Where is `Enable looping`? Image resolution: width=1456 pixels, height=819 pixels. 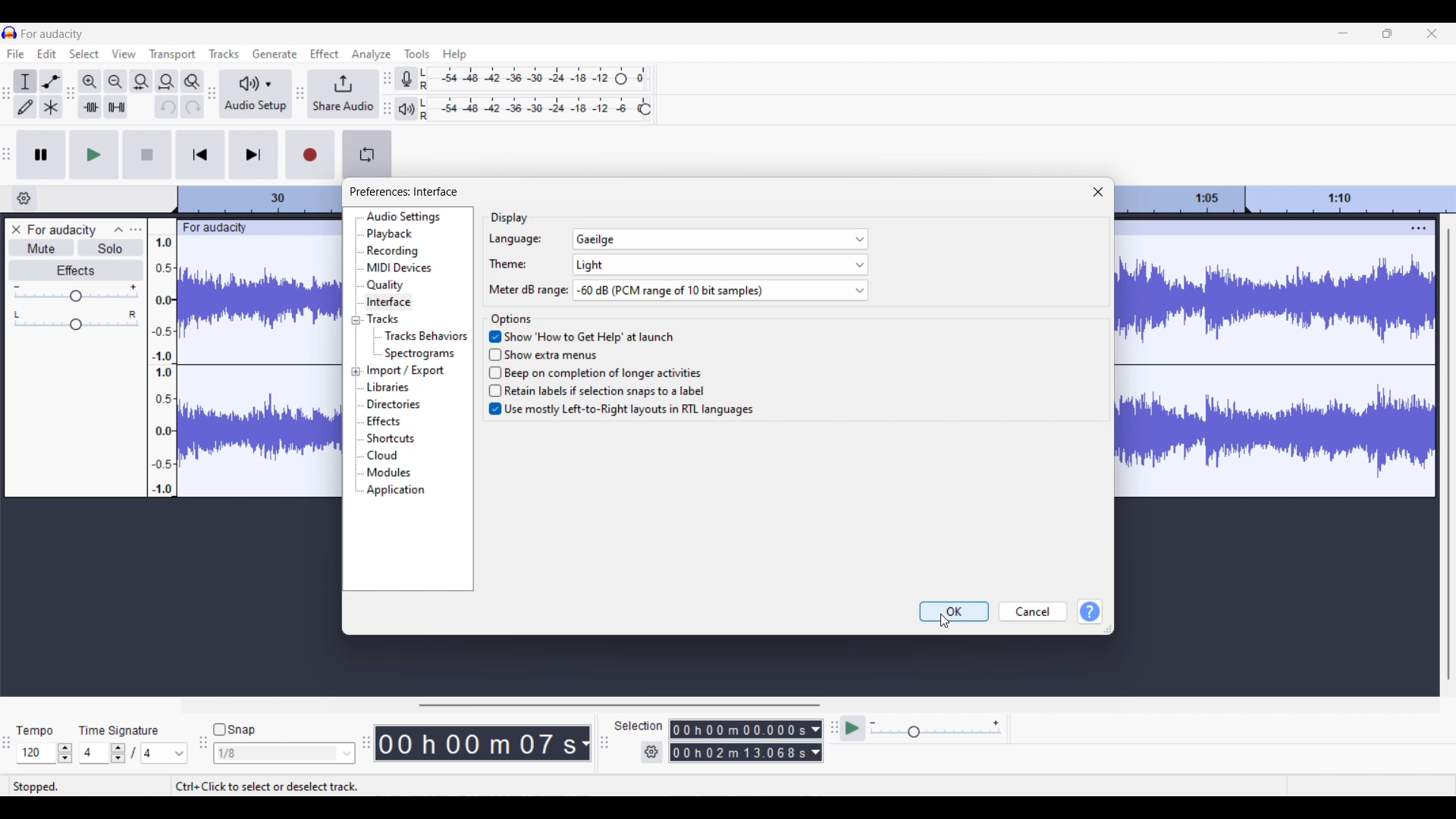 Enable looping is located at coordinates (367, 155).